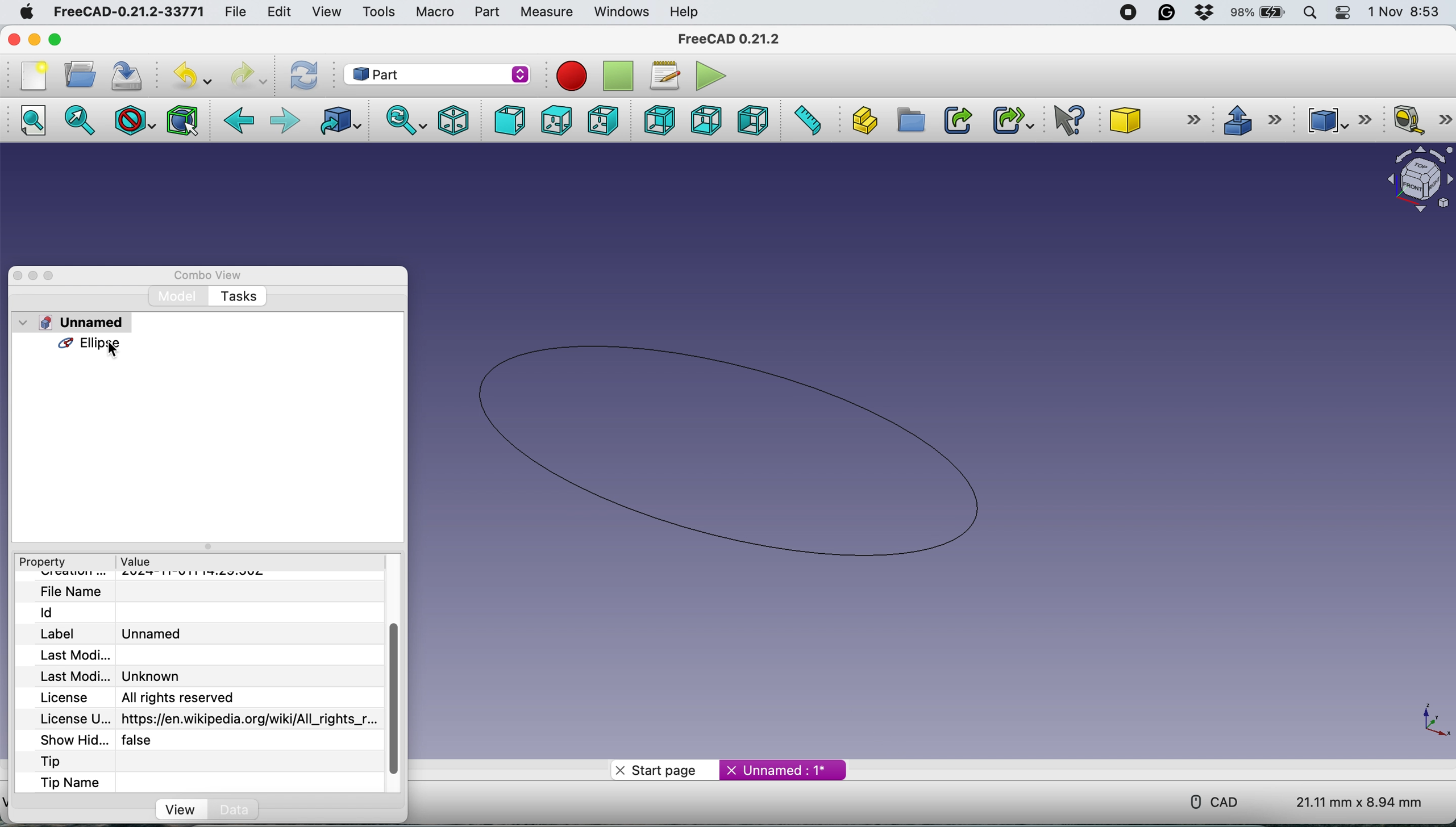  What do you see at coordinates (1432, 724) in the screenshot?
I see `xy coordinate` at bounding box center [1432, 724].